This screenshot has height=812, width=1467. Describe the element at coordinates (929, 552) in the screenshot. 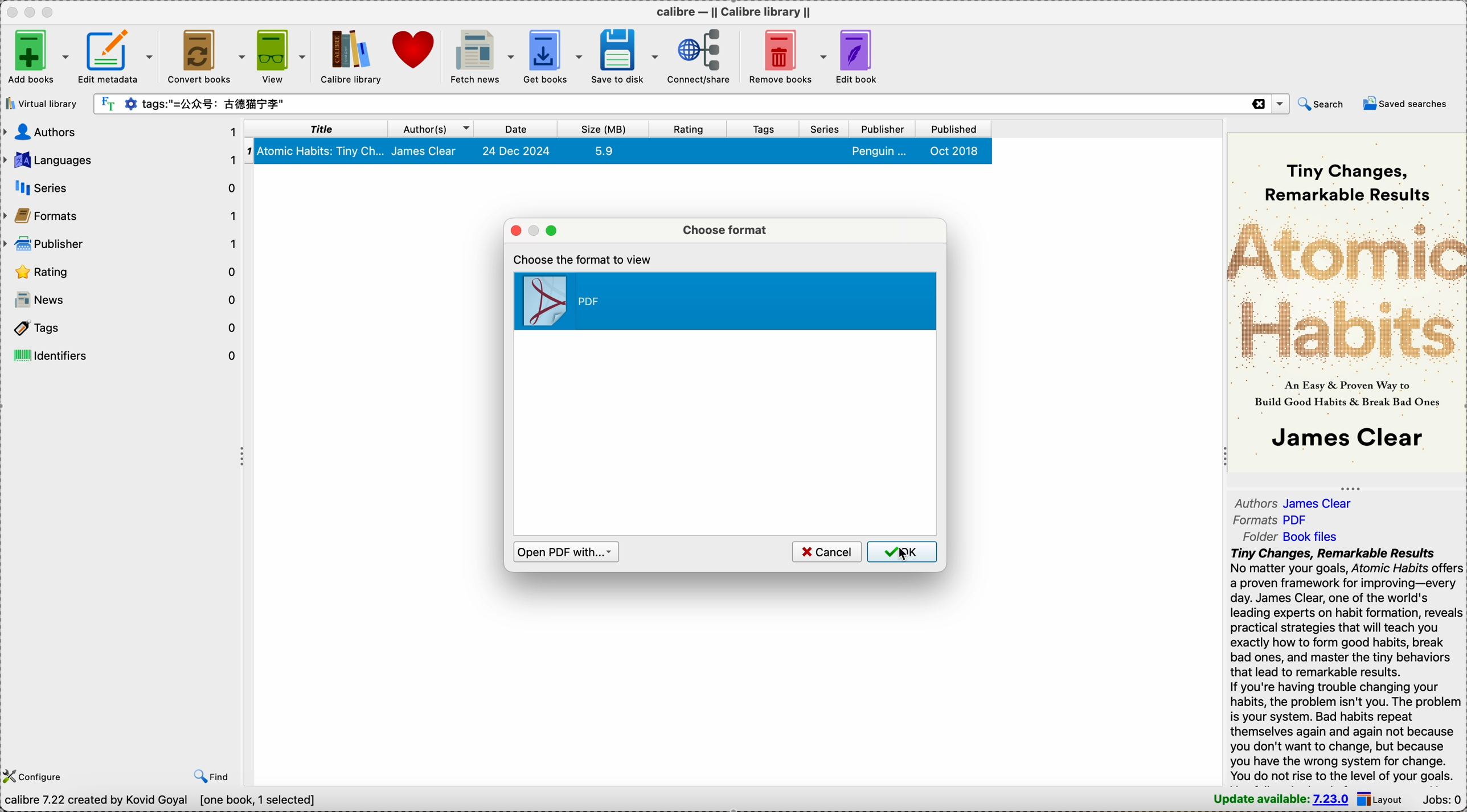

I see `OK` at that location.